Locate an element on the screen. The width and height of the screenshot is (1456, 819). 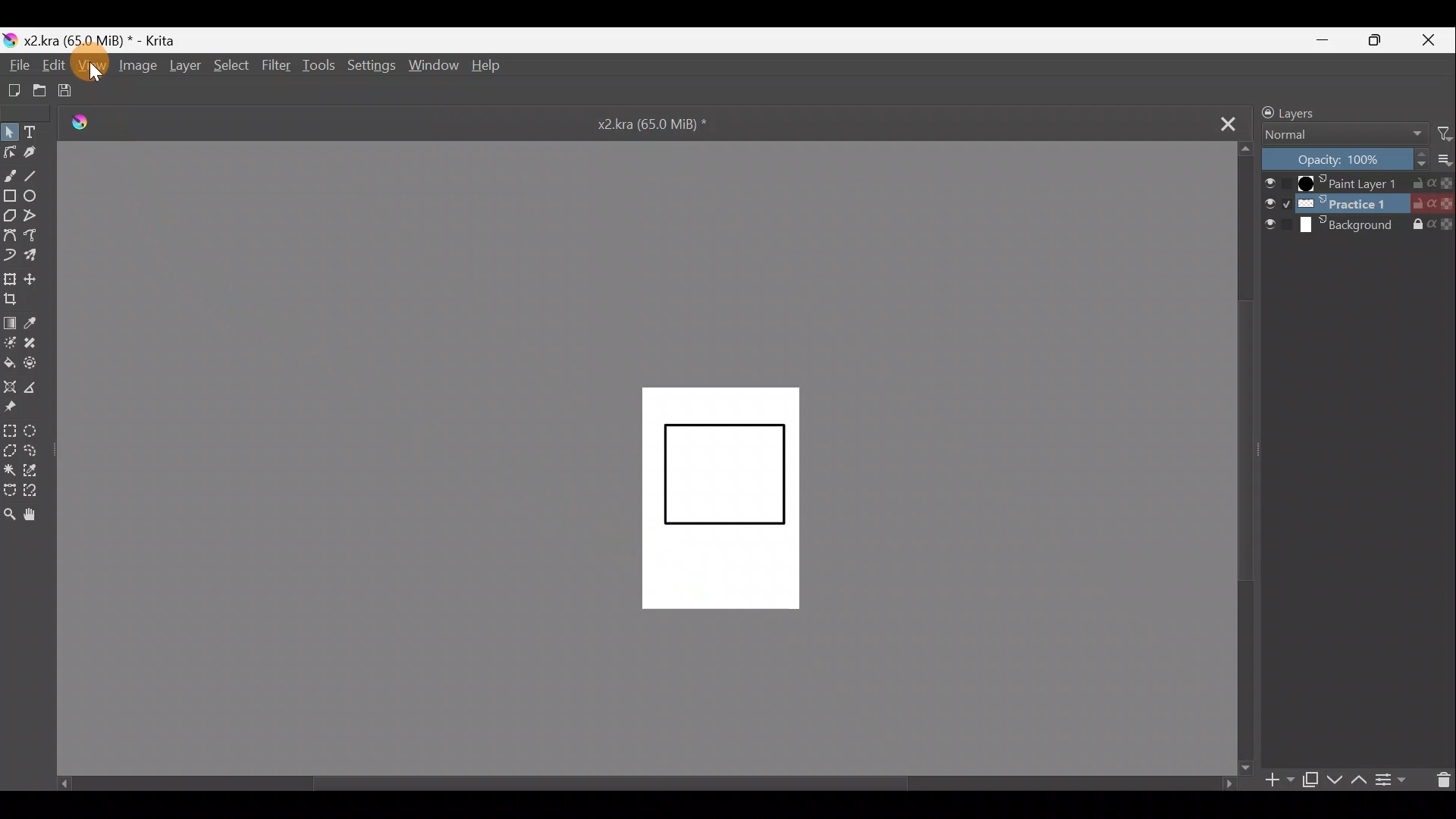
Normal Blending mode is located at coordinates (1343, 136).